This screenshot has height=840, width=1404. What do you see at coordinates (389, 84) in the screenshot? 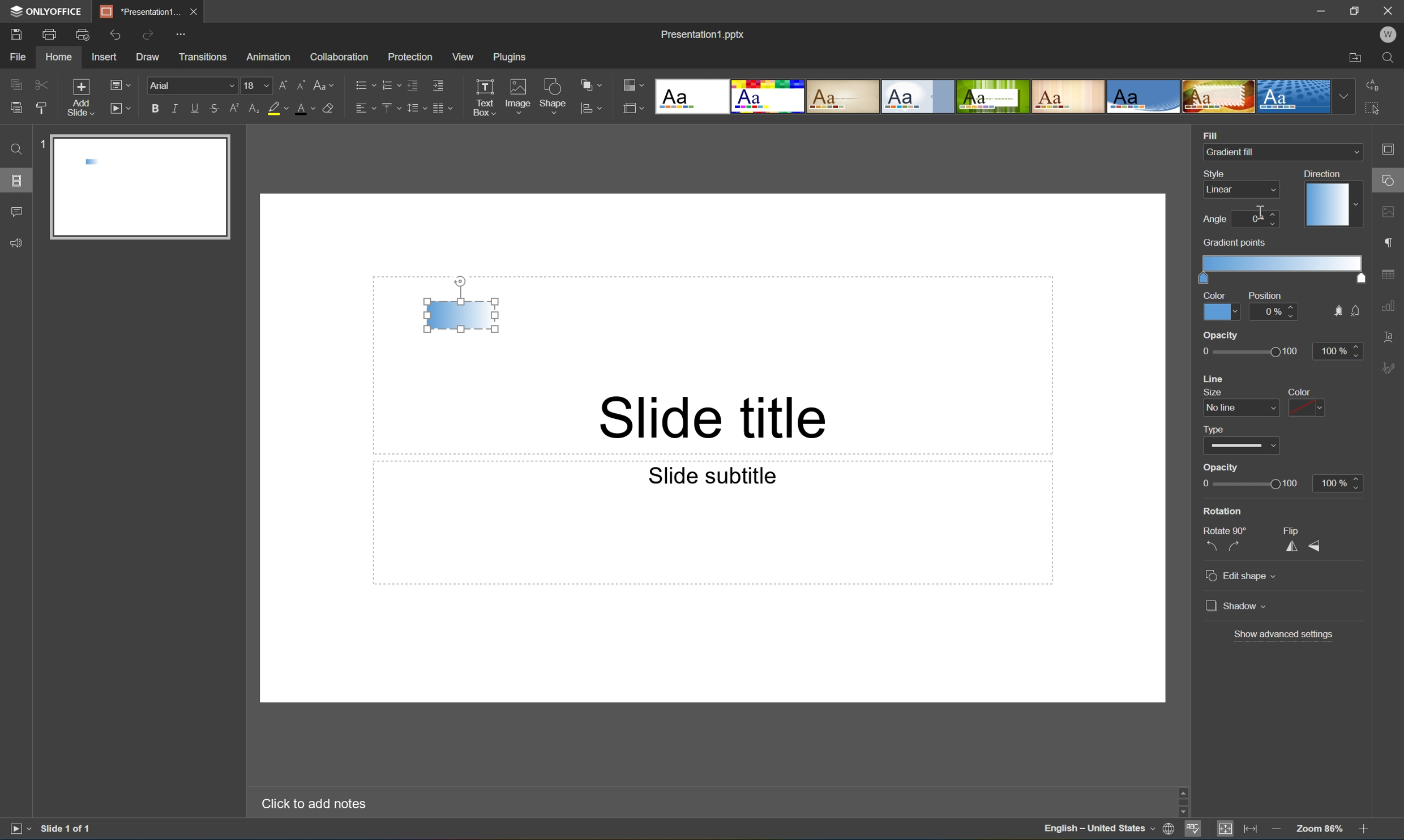
I see `Numbering` at bounding box center [389, 84].